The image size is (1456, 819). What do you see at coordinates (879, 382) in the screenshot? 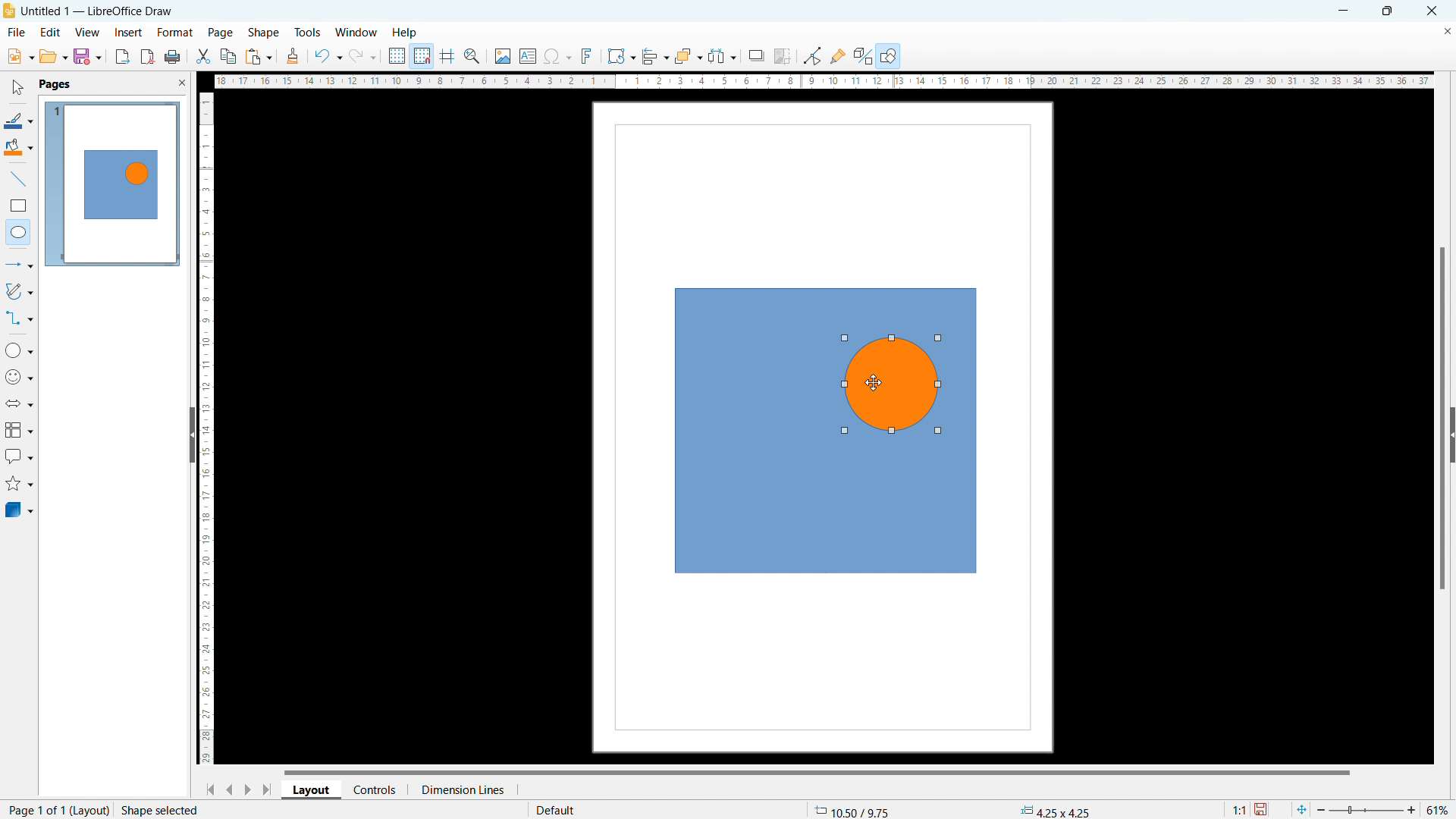
I see `cursor` at bounding box center [879, 382].